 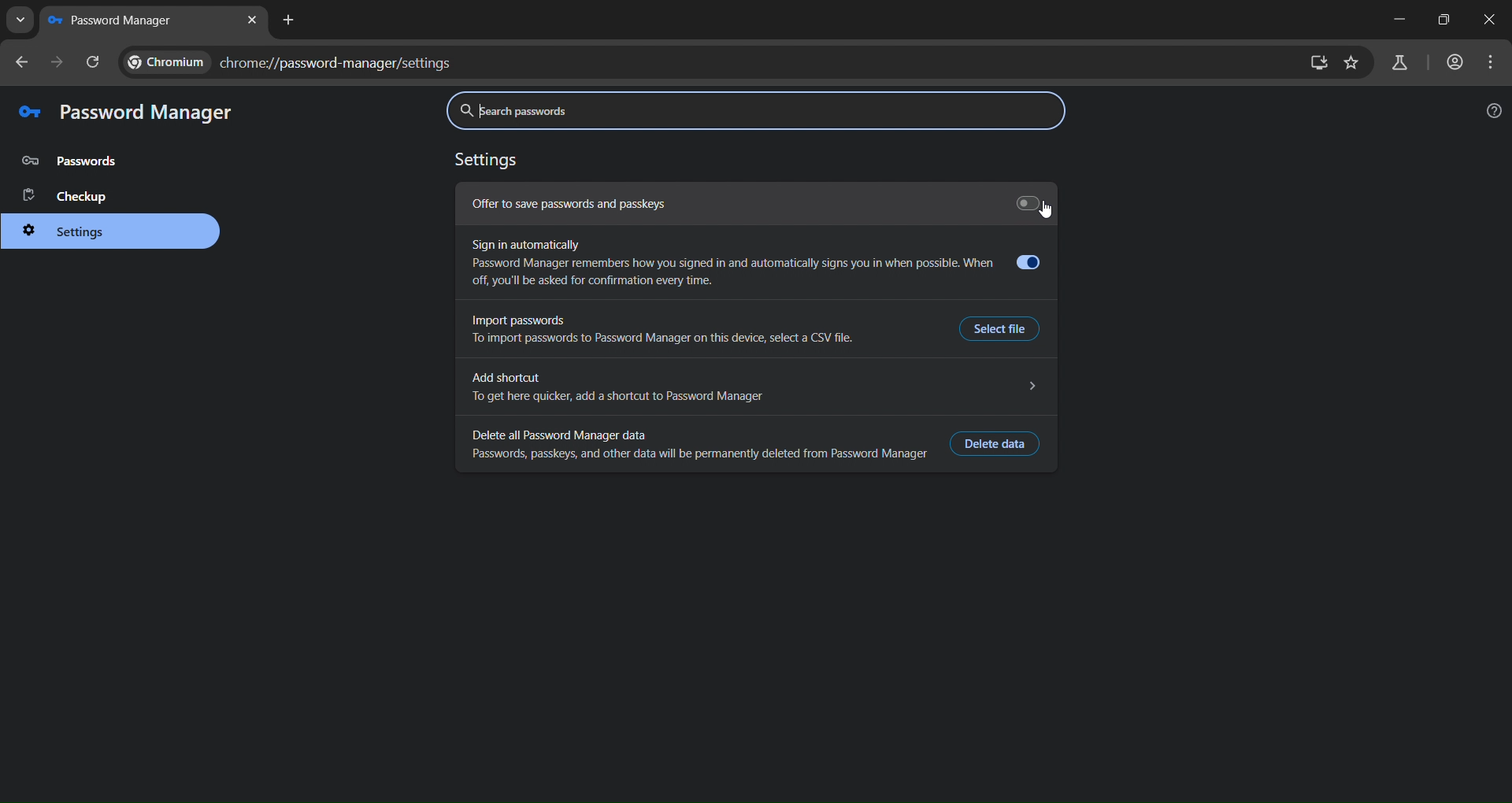 I want to click on Toggle, so click(x=1029, y=202).